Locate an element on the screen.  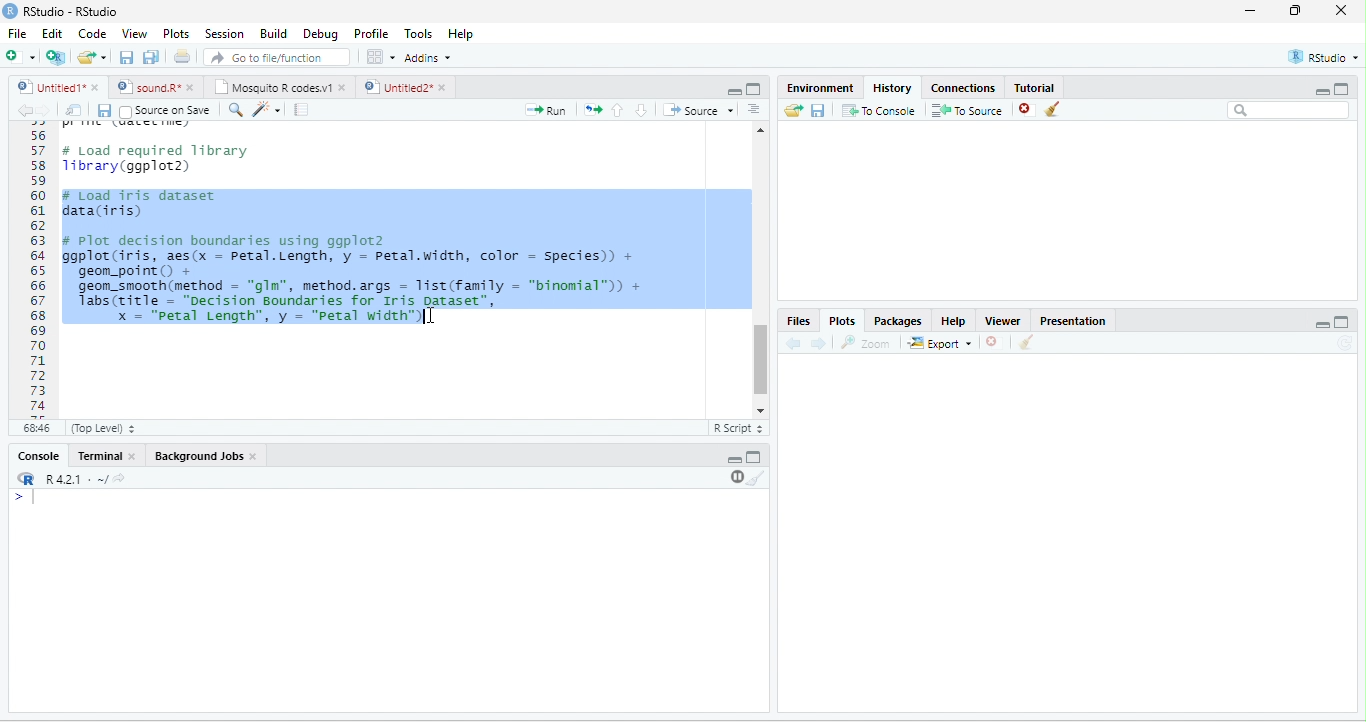
tools is located at coordinates (265, 111).